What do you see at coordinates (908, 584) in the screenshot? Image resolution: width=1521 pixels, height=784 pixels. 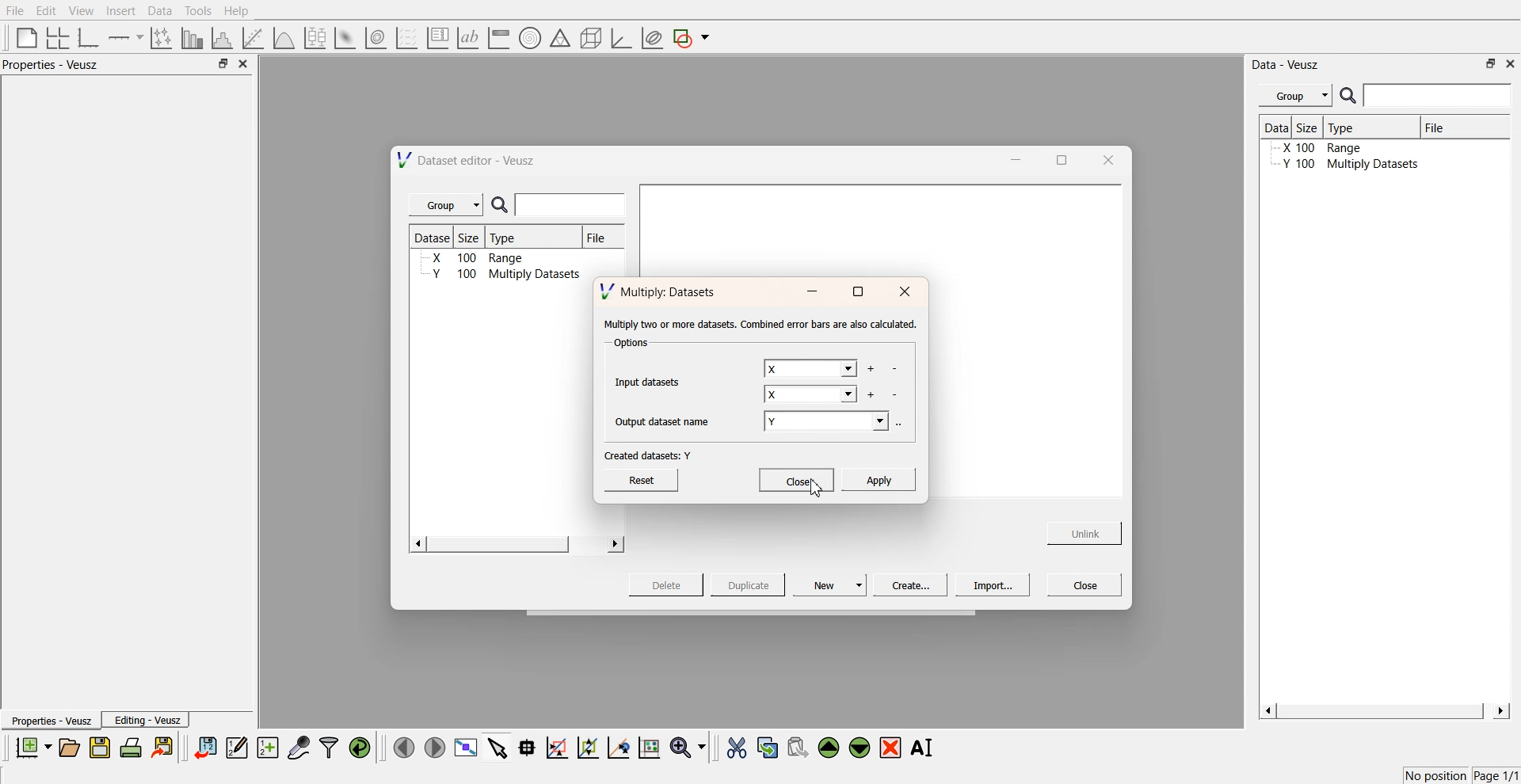 I see `Create...` at bounding box center [908, 584].